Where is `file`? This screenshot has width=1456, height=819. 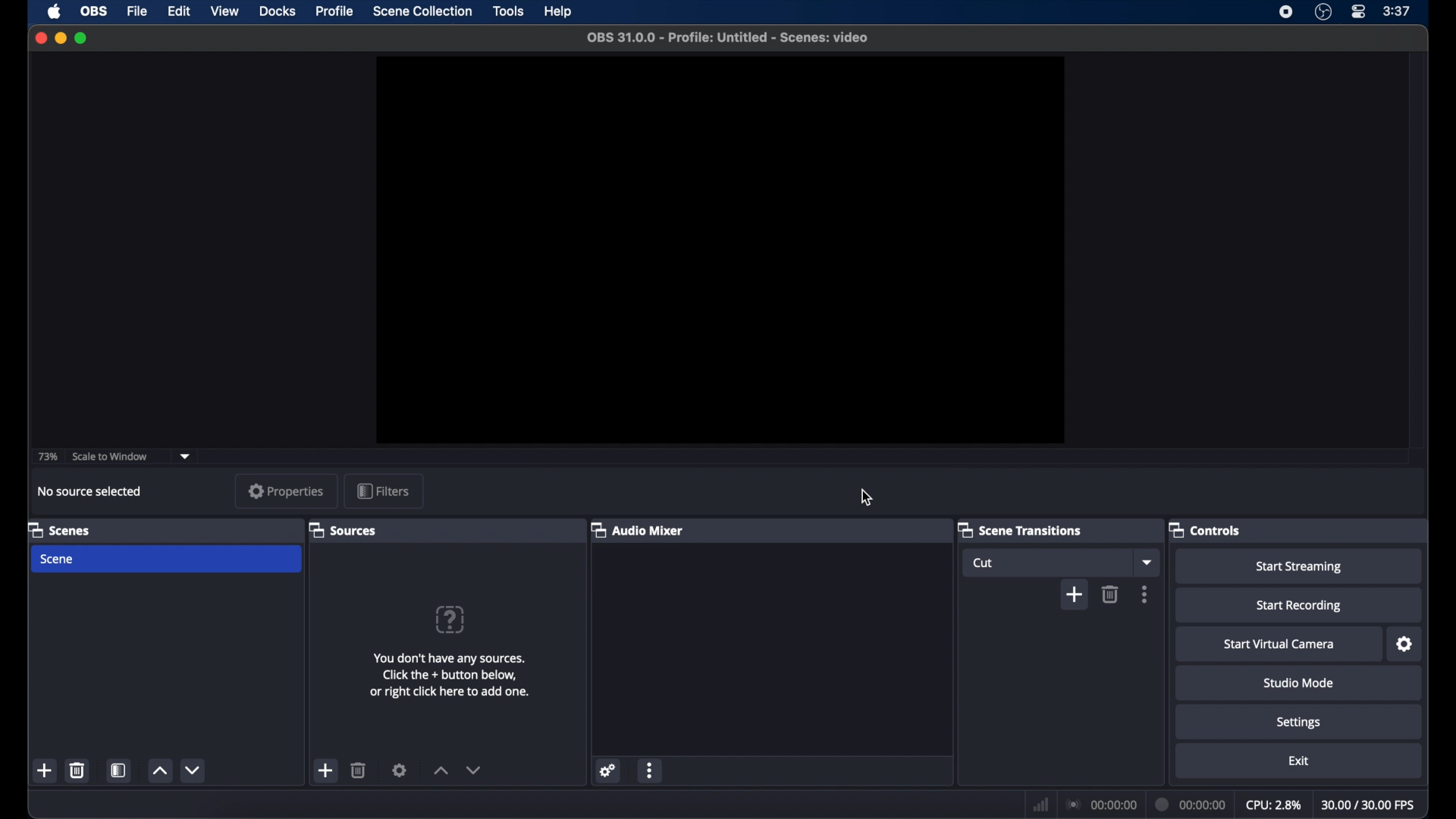
file is located at coordinates (136, 11).